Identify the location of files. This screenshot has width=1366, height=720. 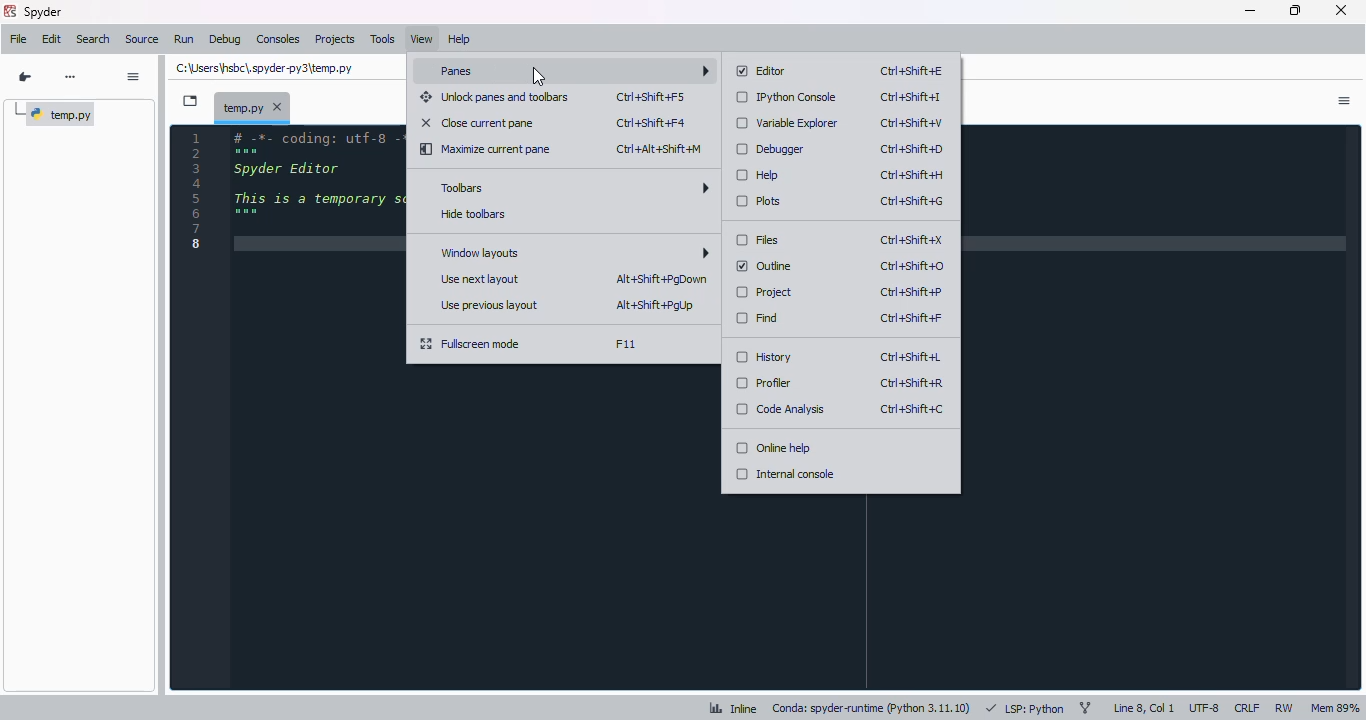
(758, 240).